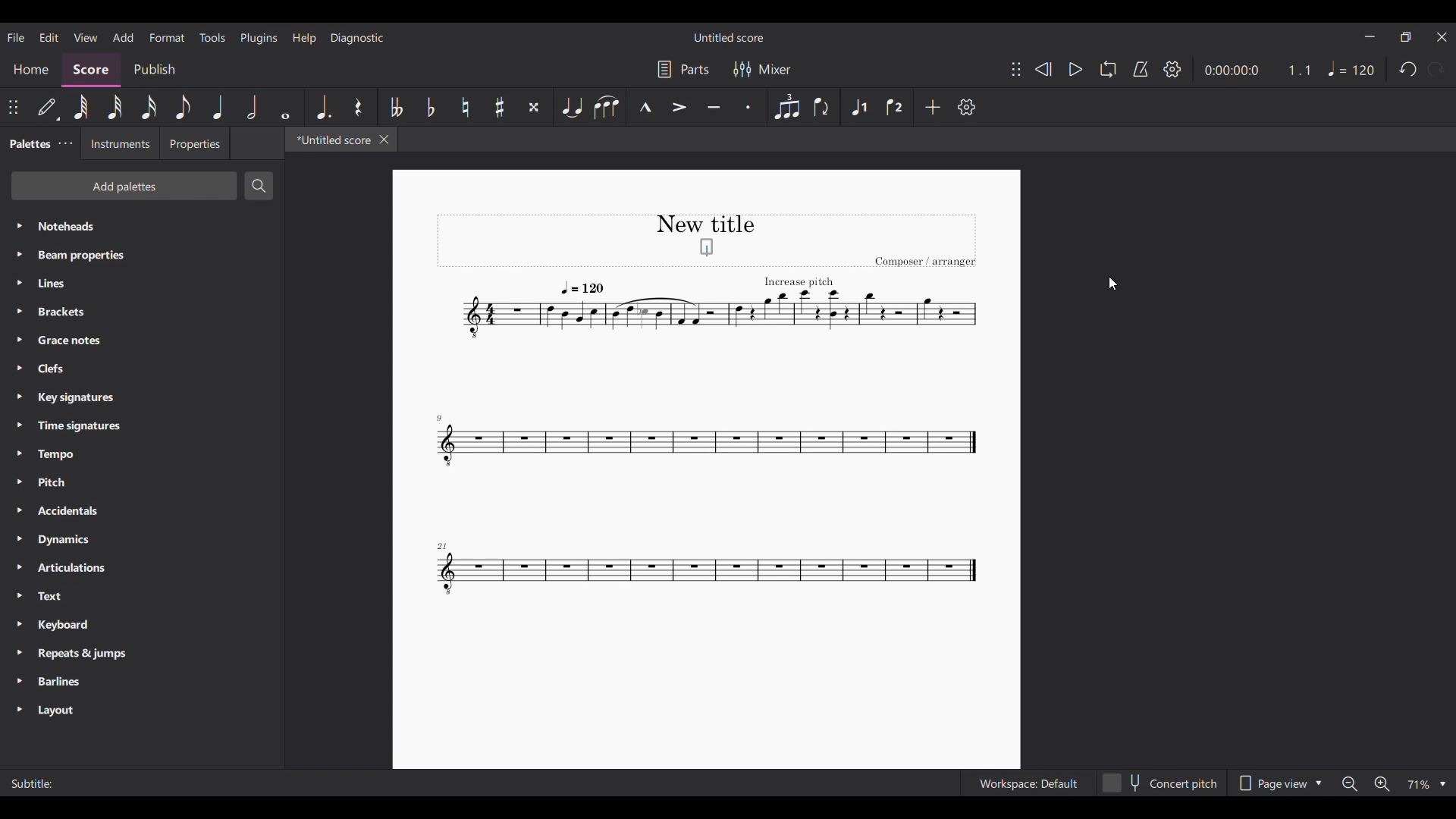 Image resolution: width=1456 pixels, height=819 pixels. Describe the element at coordinates (49, 36) in the screenshot. I see `Edit menu` at that location.